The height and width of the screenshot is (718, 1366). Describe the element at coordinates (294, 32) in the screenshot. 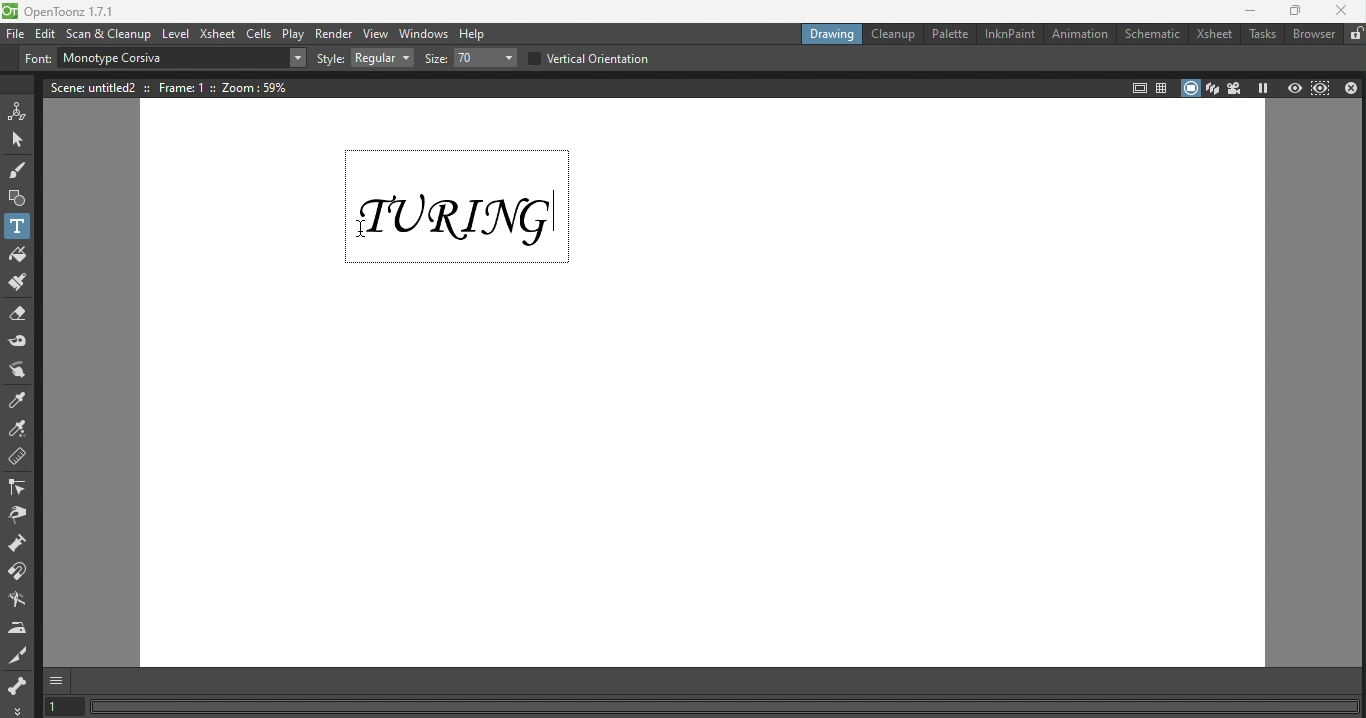

I see `Play` at that location.